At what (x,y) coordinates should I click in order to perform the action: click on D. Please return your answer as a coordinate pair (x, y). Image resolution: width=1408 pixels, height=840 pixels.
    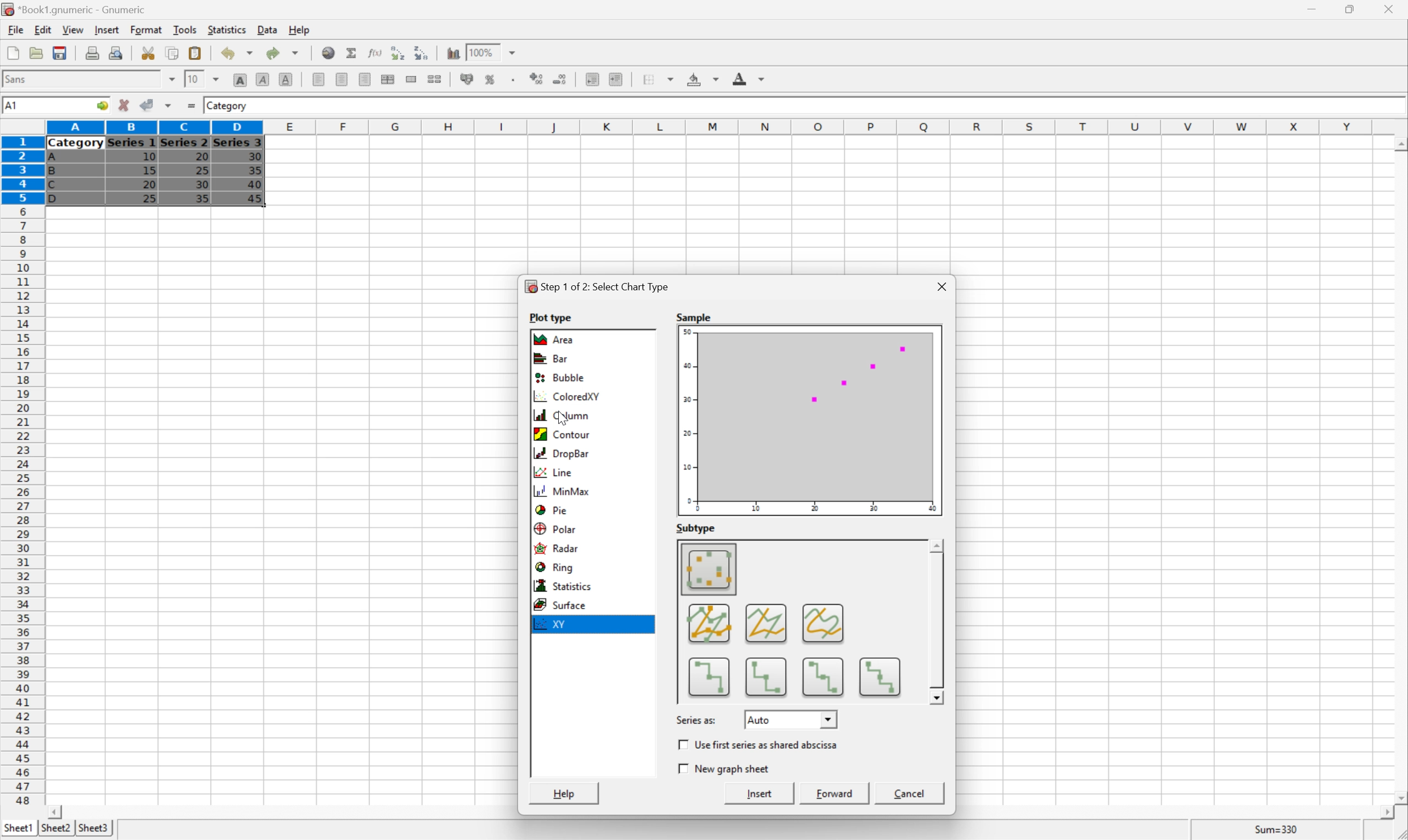
    Looking at the image, I should click on (58, 199).